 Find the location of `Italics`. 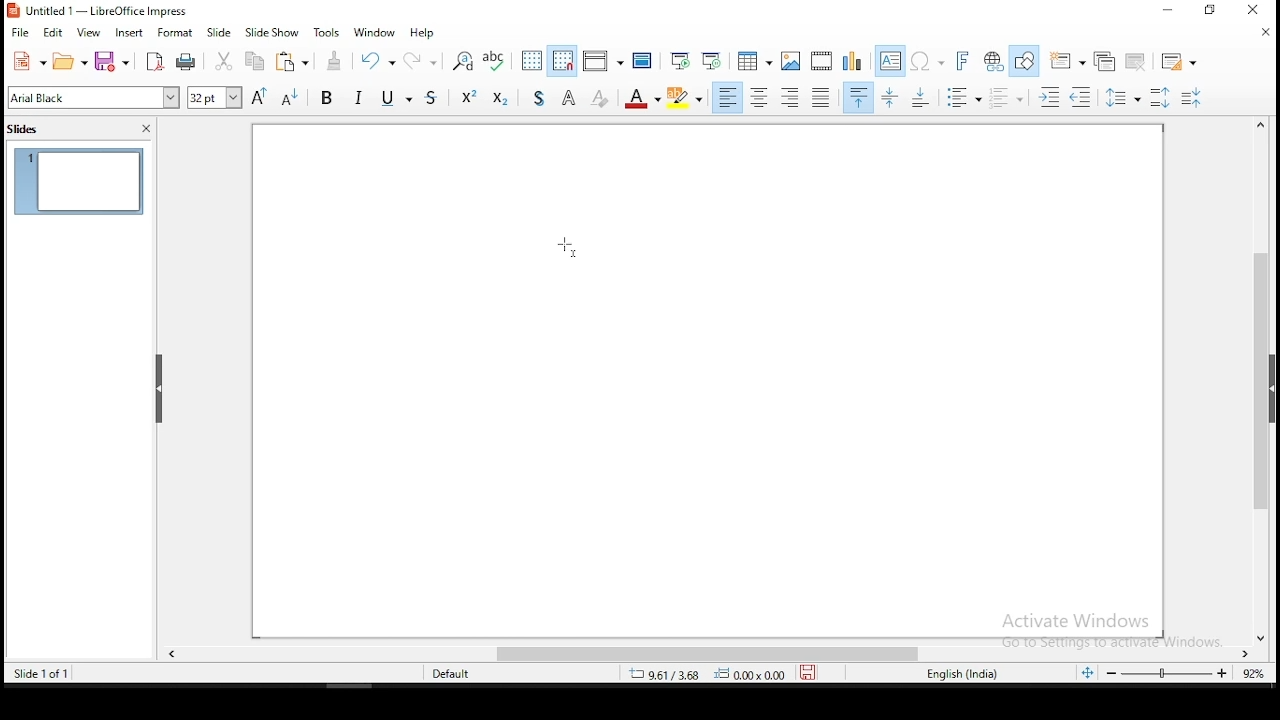

Italics is located at coordinates (359, 96).